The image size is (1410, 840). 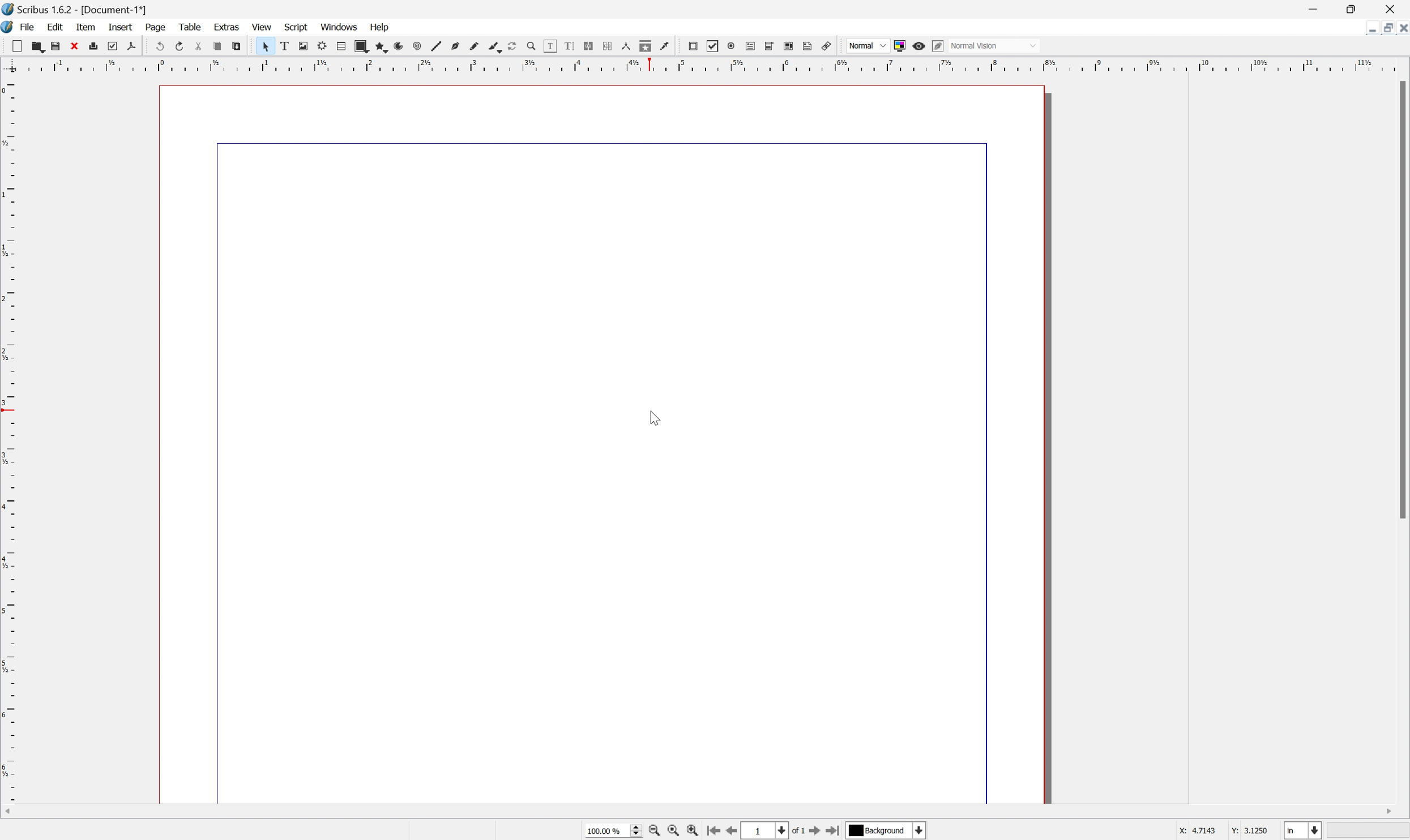 I want to click on view, so click(x=264, y=26).